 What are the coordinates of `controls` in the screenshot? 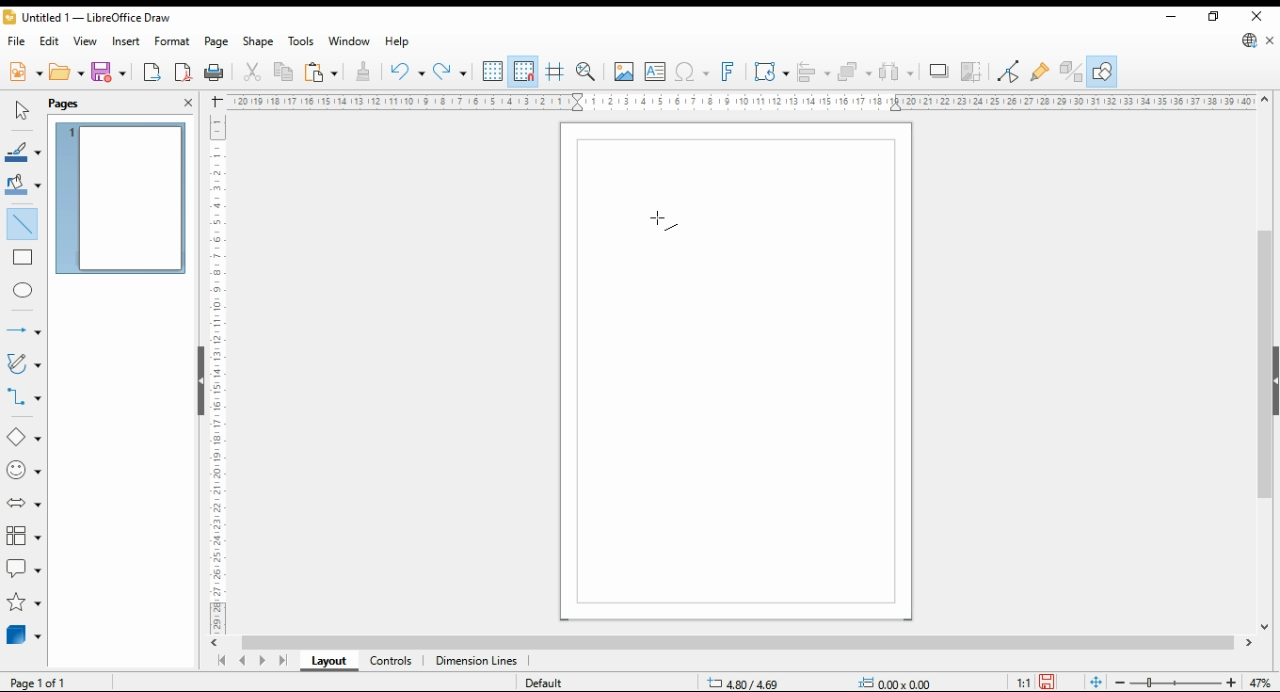 It's located at (390, 662).